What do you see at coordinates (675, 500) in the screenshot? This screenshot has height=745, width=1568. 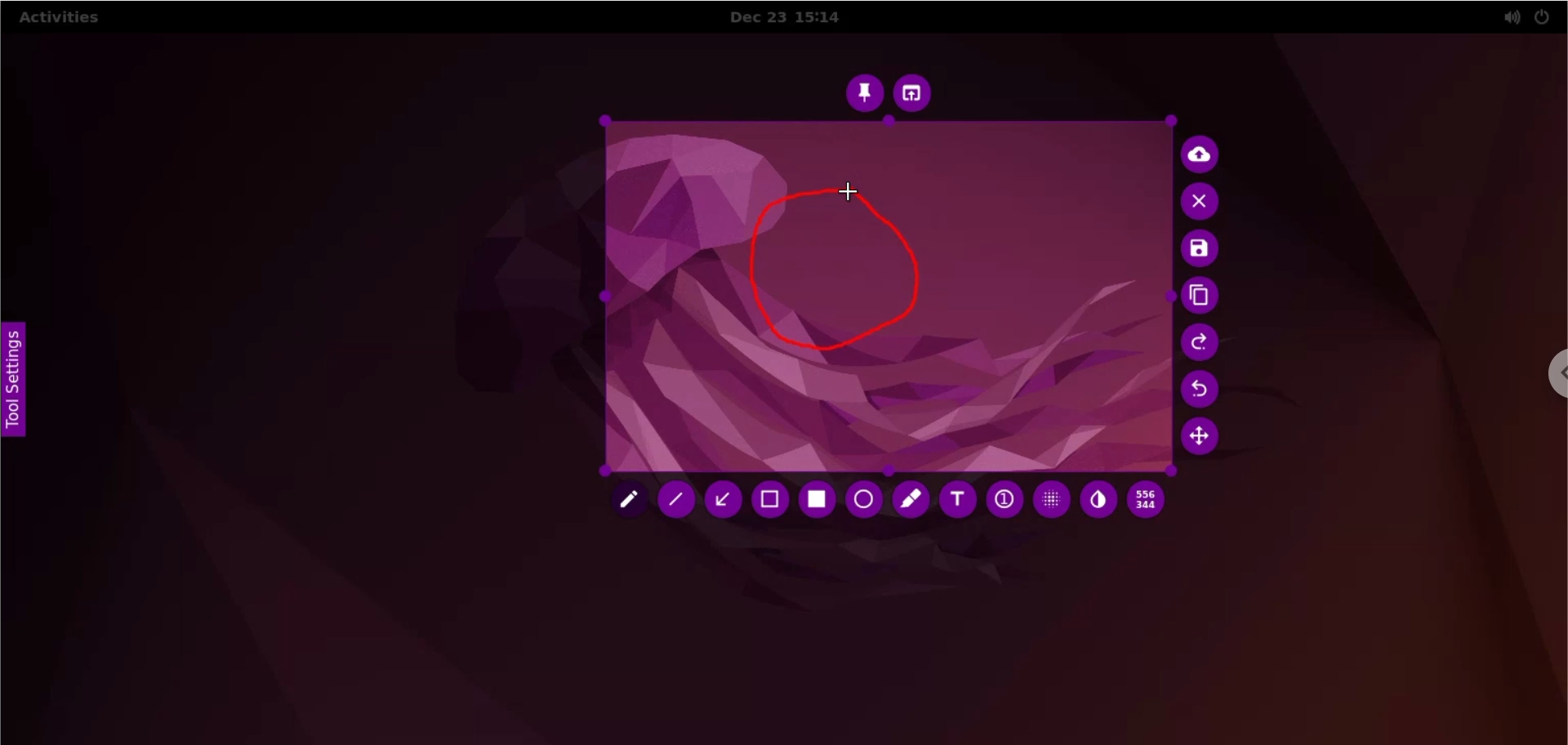 I see `line ` at bounding box center [675, 500].